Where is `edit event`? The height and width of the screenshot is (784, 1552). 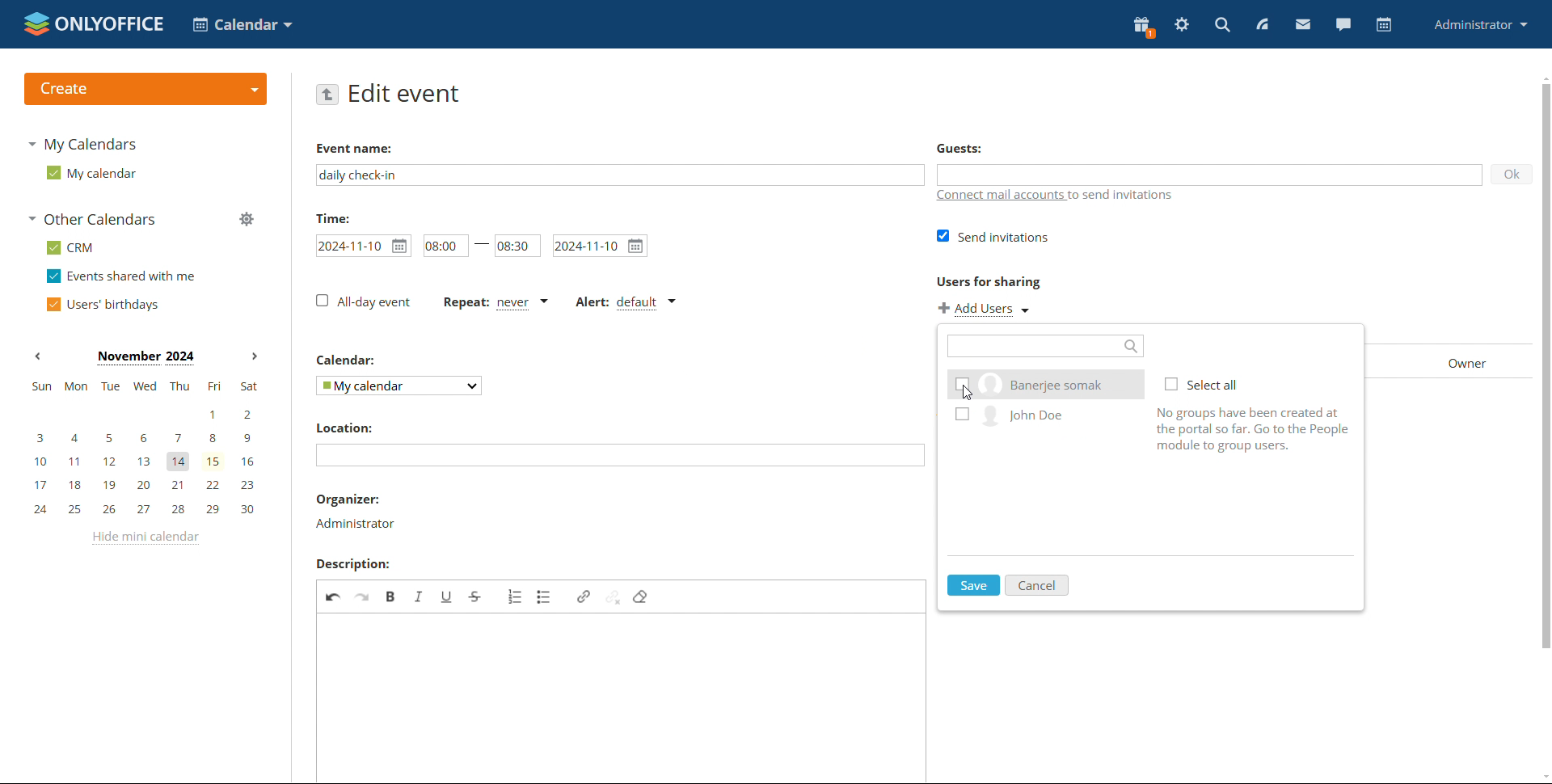 edit event is located at coordinates (406, 94).